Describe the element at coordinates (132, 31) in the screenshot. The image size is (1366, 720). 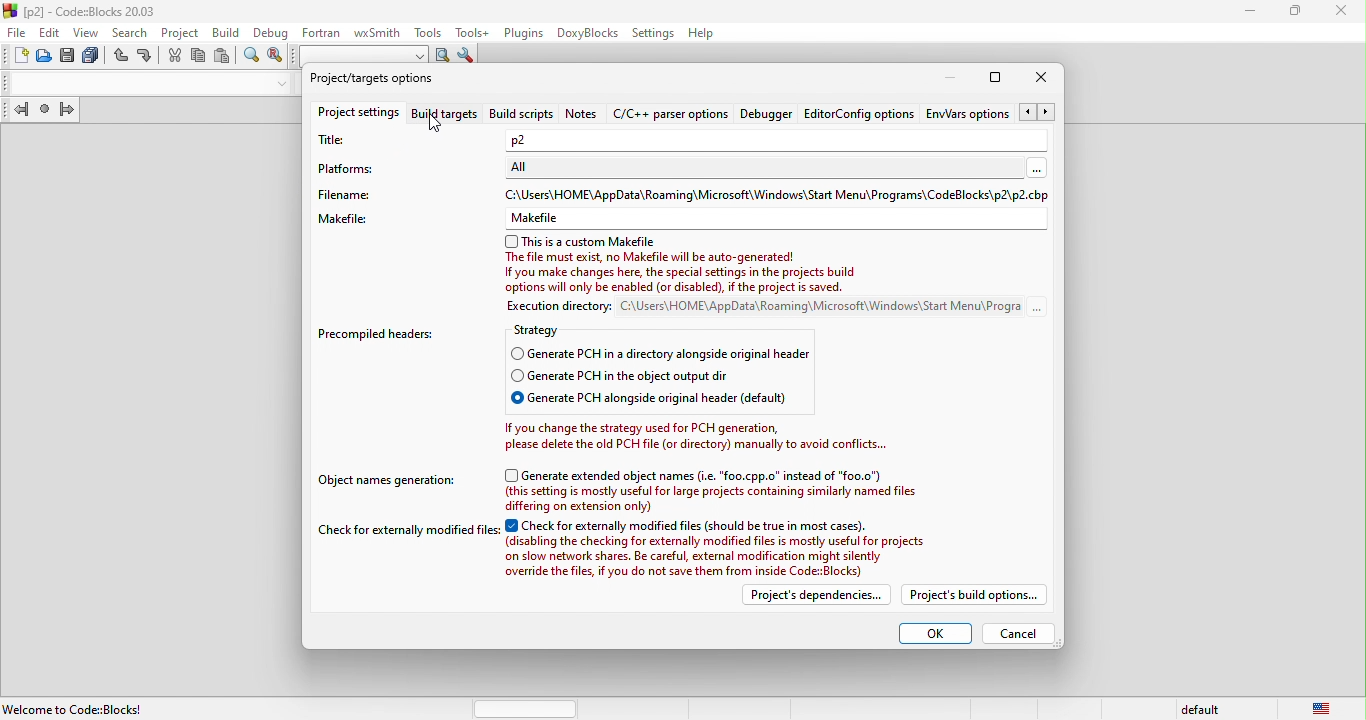
I see `search` at that location.